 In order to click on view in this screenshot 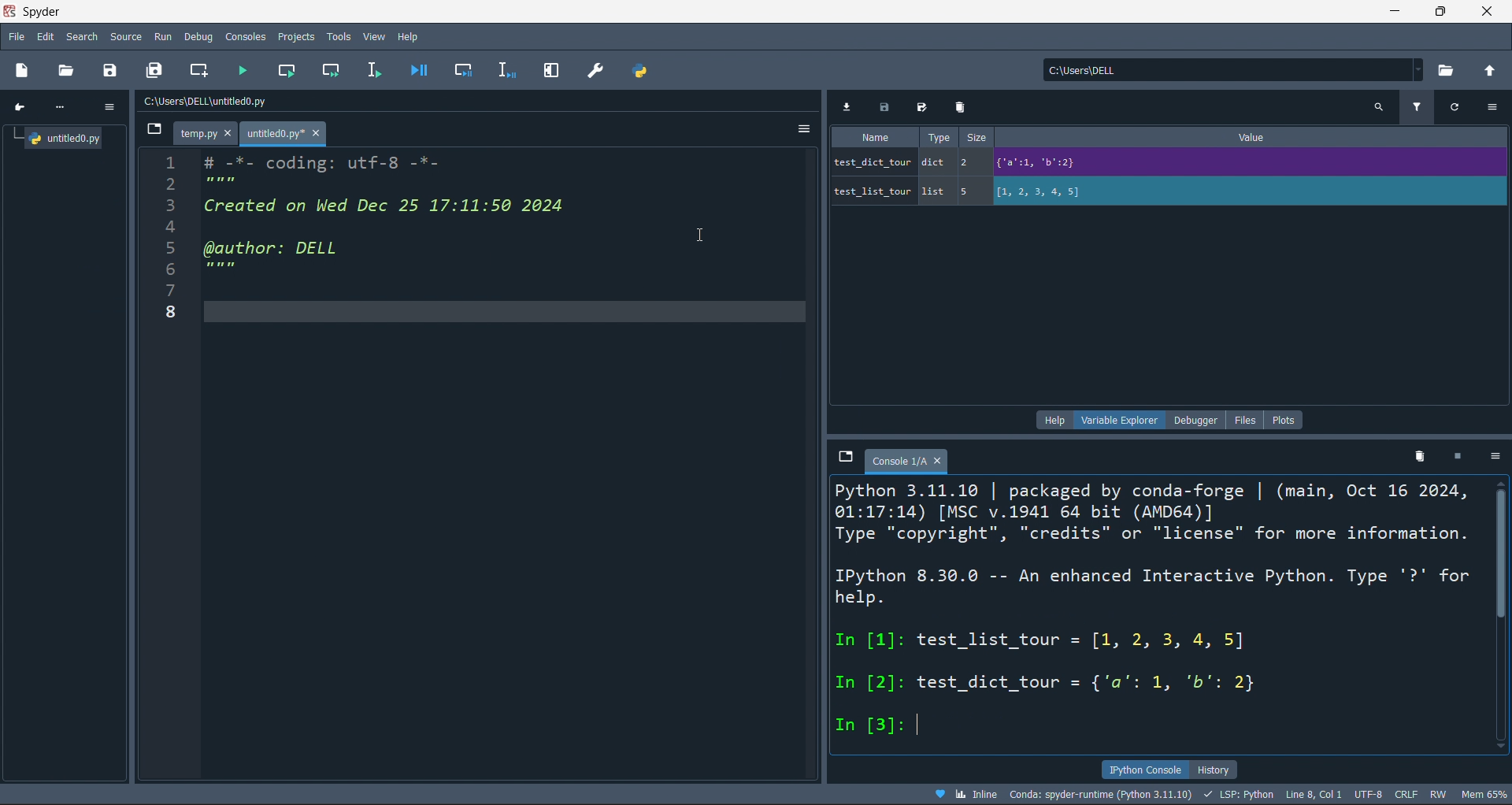, I will do `click(372, 35)`.